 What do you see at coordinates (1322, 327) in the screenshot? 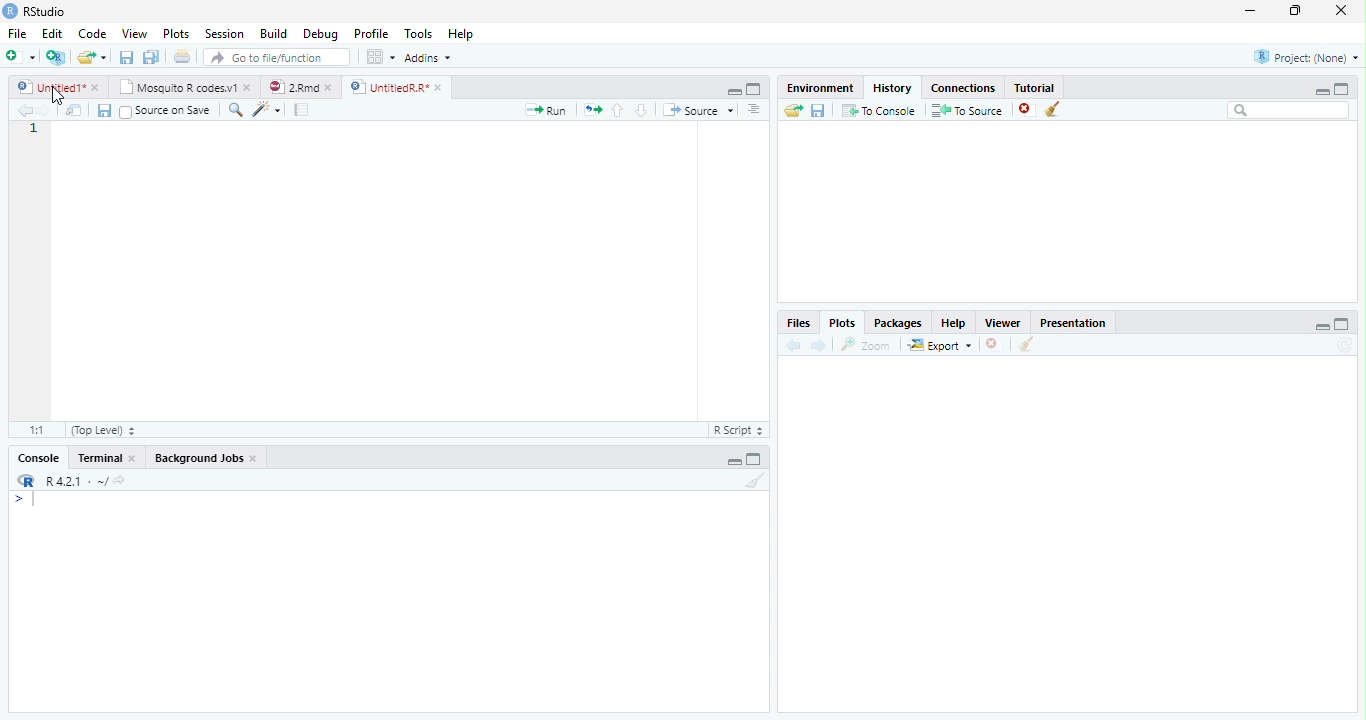
I see `minimize` at bounding box center [1322, 327].